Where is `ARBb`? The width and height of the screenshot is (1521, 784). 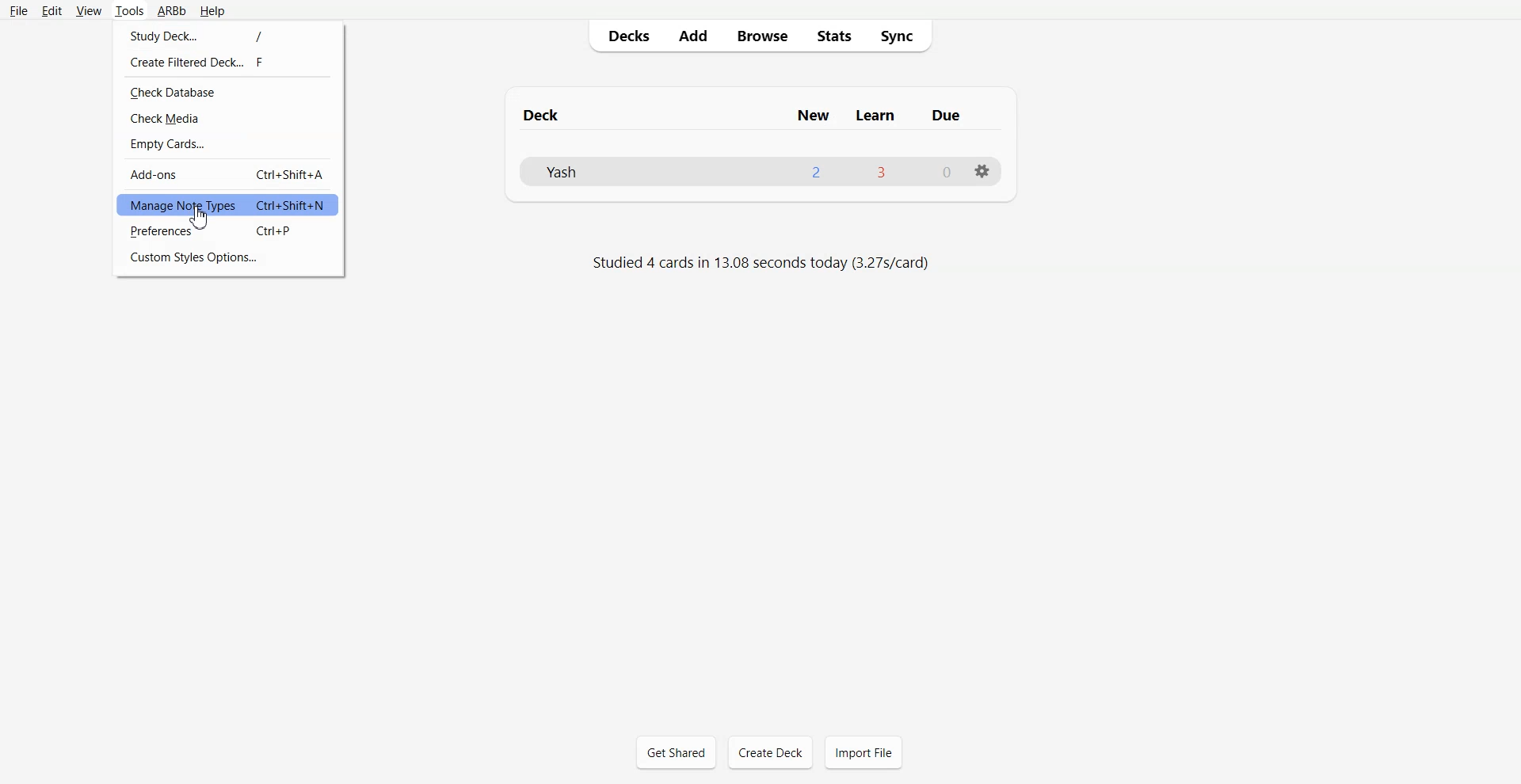
ARBb is located at coordinates (172, 11).